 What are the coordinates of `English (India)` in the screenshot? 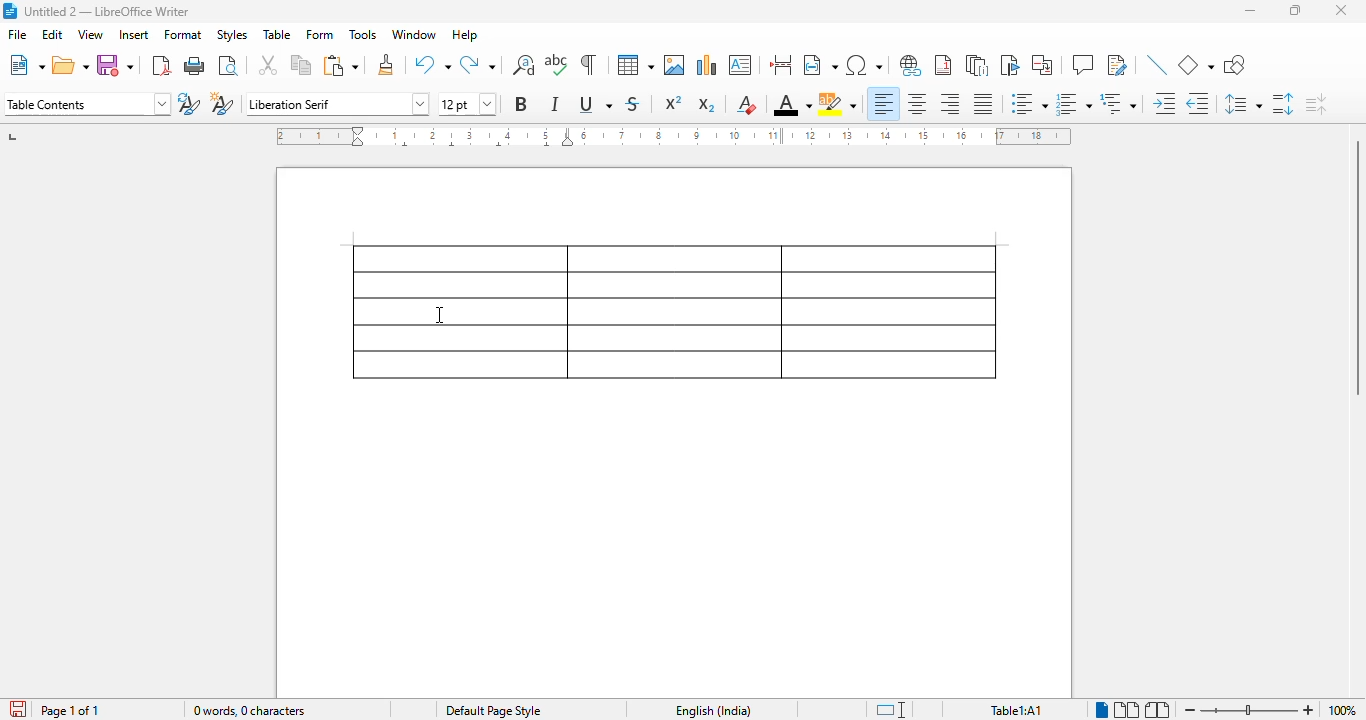 It's located at (714, 710).